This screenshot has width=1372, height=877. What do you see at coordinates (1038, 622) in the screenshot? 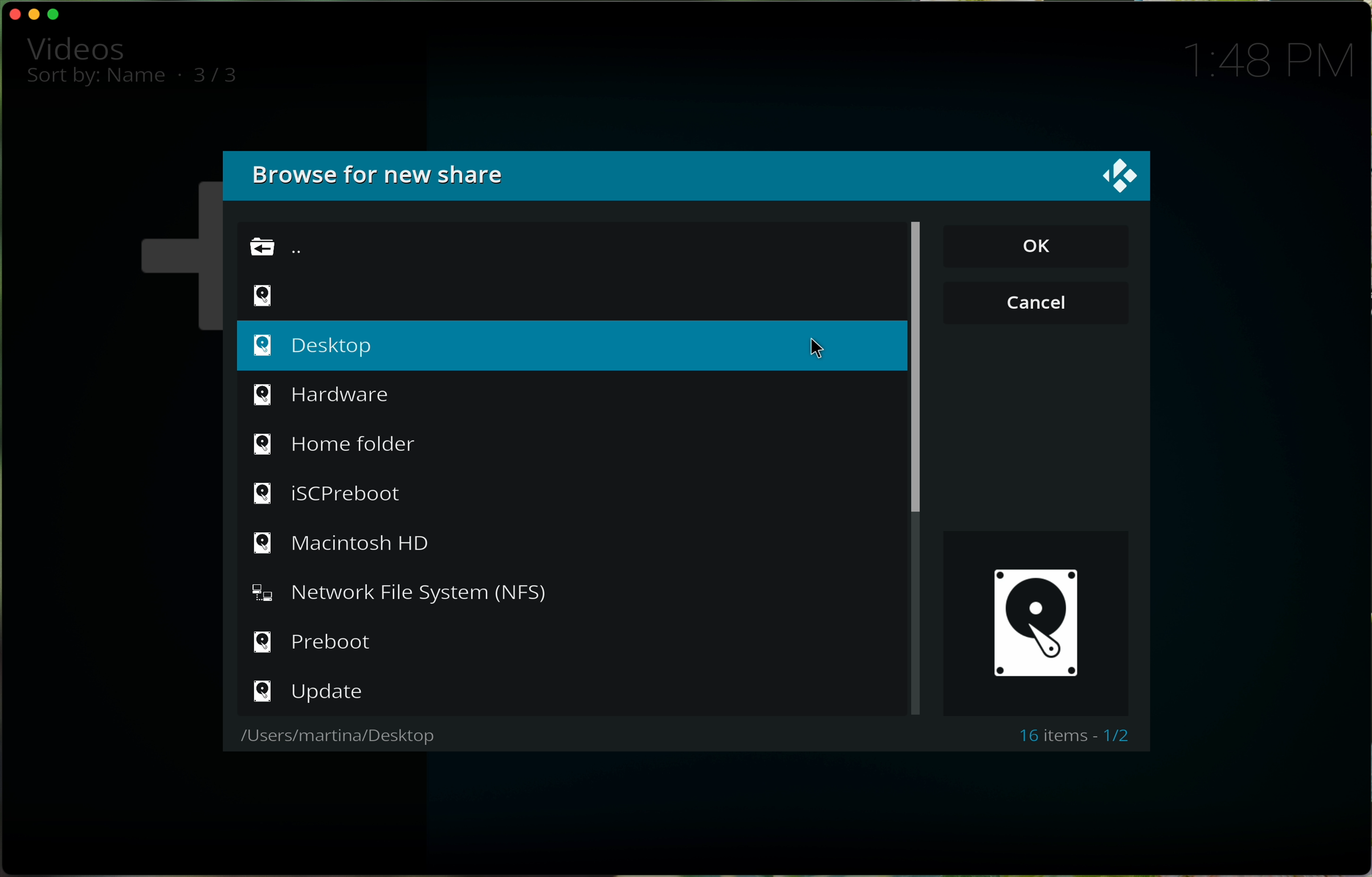
I see `desktop symbol` at bounding box center [1038, 622].